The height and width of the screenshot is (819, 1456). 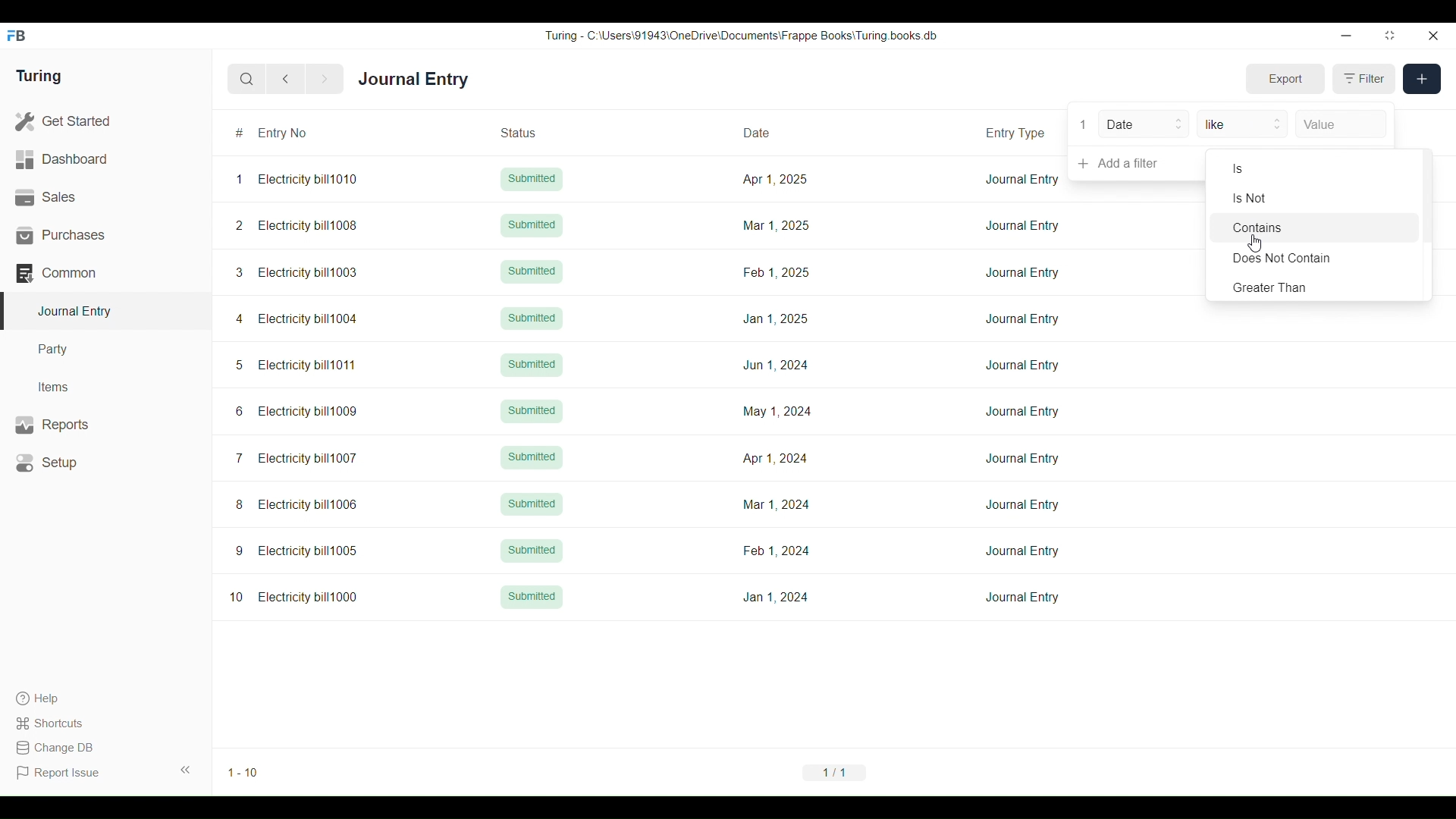 What do you see at coordinates (296, 458) in the screenshot?
I see `7 Electricity bill1007` at bounding box center [296, 458].